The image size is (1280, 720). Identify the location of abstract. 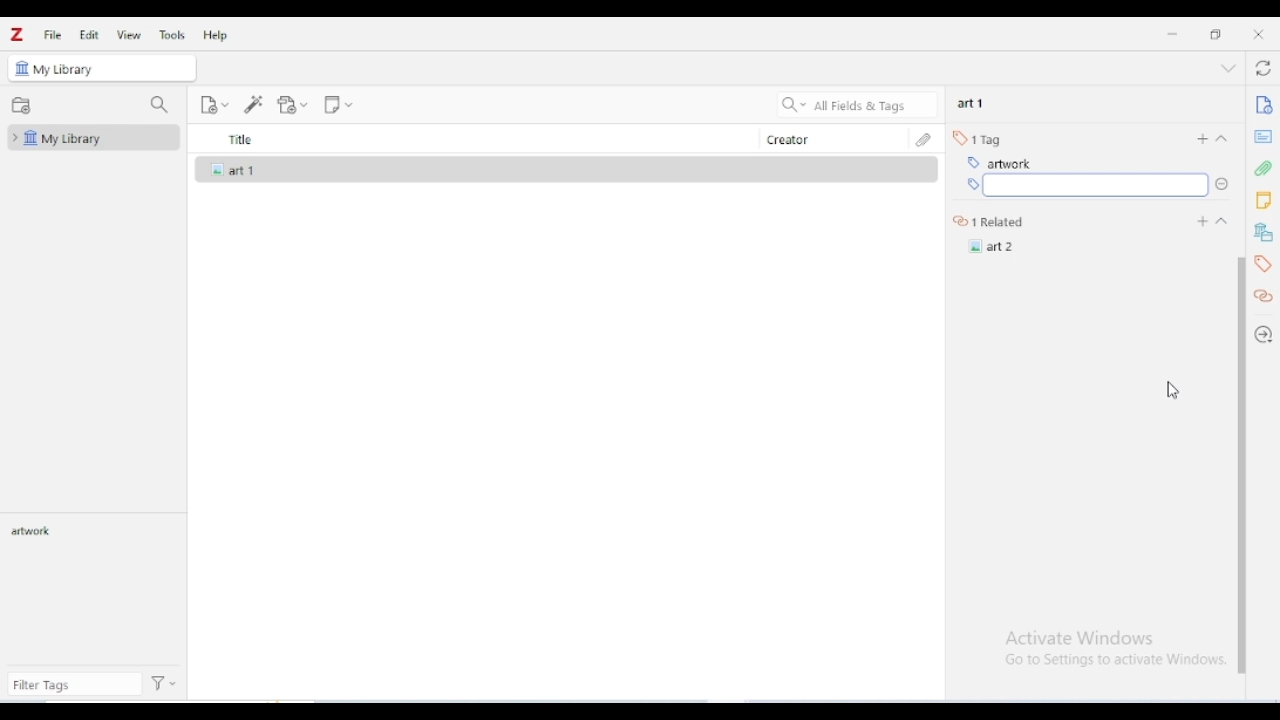
(1263, 137).